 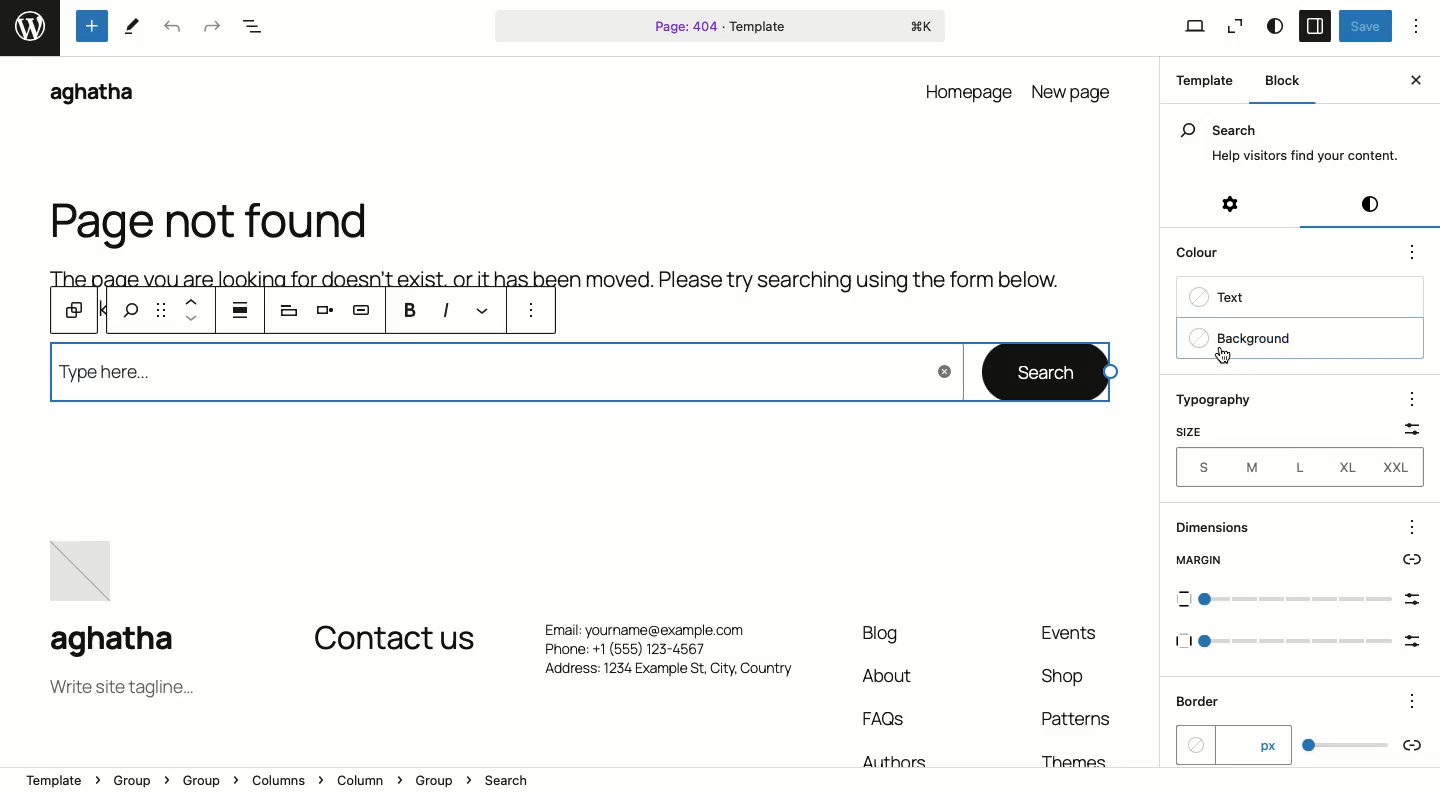 I want to click on options, so click(x=1413, y=399).